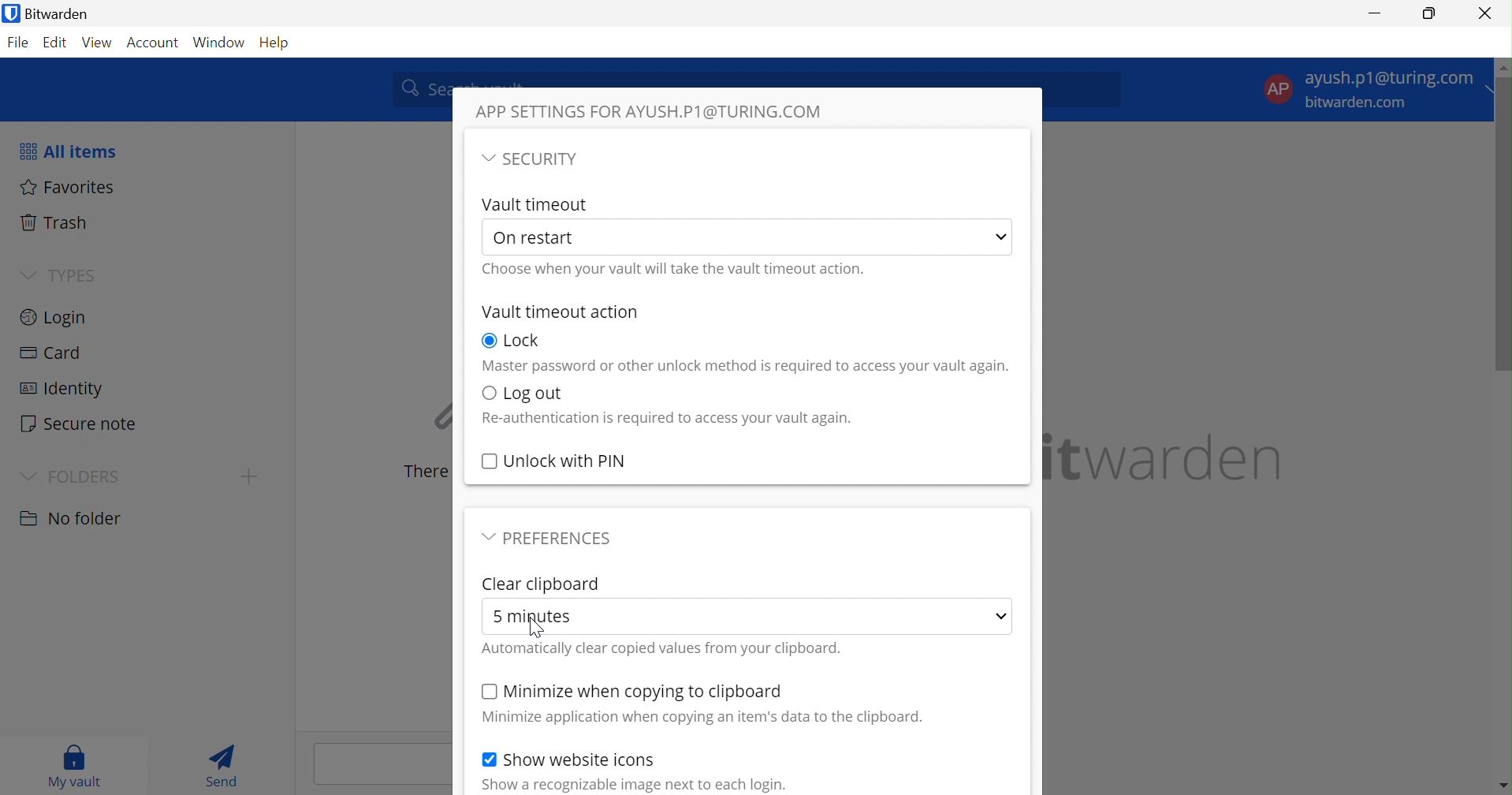  I want to click on Vault timeout action, so click(560, 311).